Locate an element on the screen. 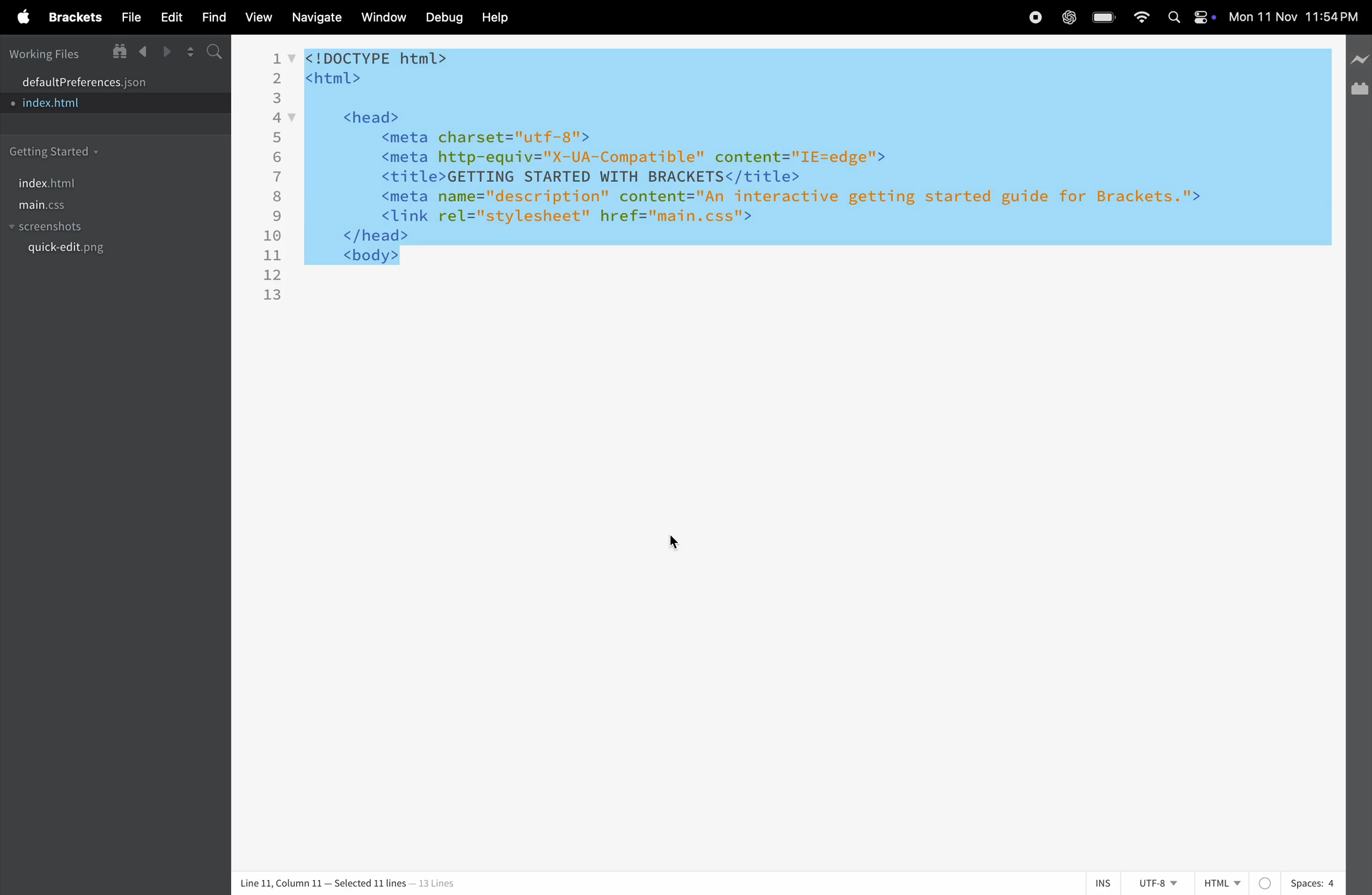 The image size is (1372, 895). wifi is located at coordinates (1143, 18).